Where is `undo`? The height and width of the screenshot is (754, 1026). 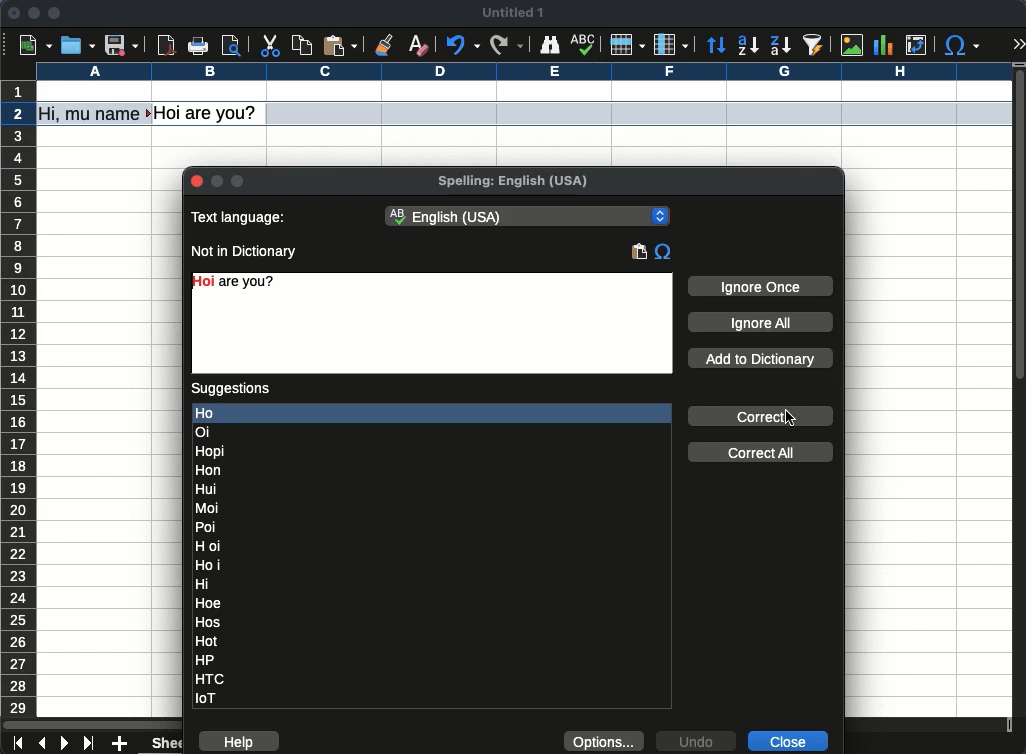 undo is located at coordinates (466, 44).